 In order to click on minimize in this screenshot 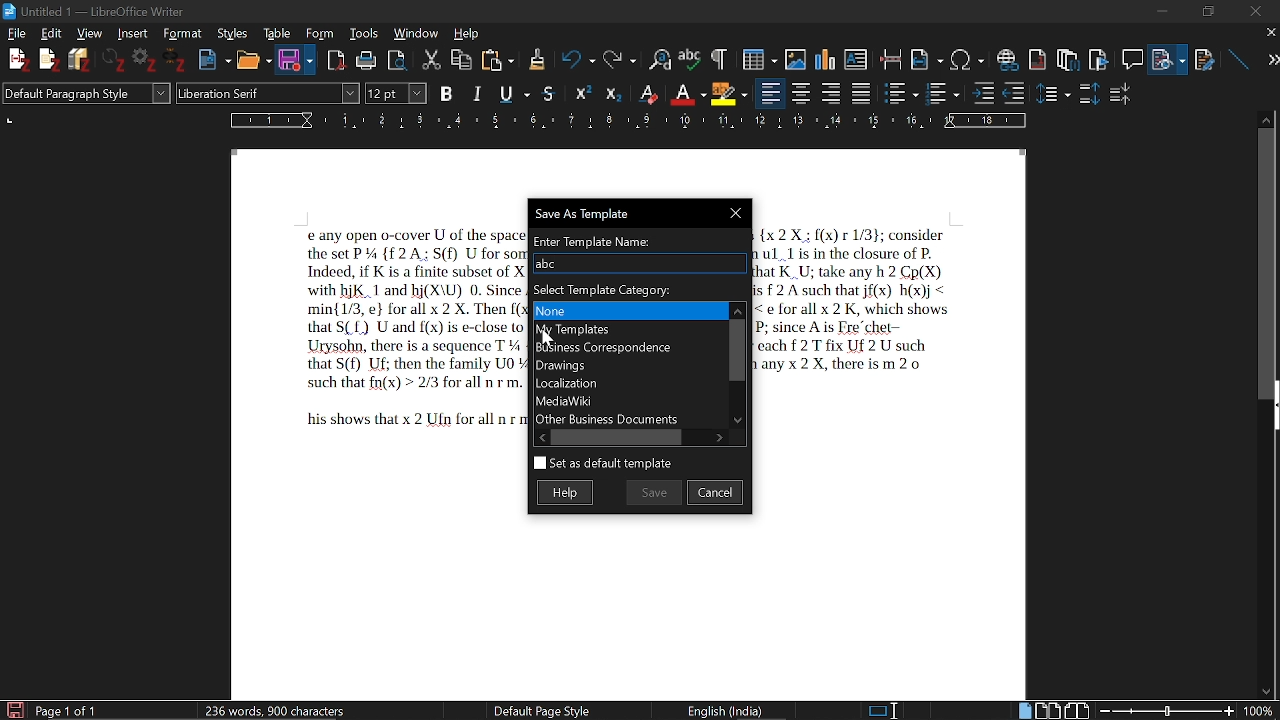, I will do `click(1166, 12)`.